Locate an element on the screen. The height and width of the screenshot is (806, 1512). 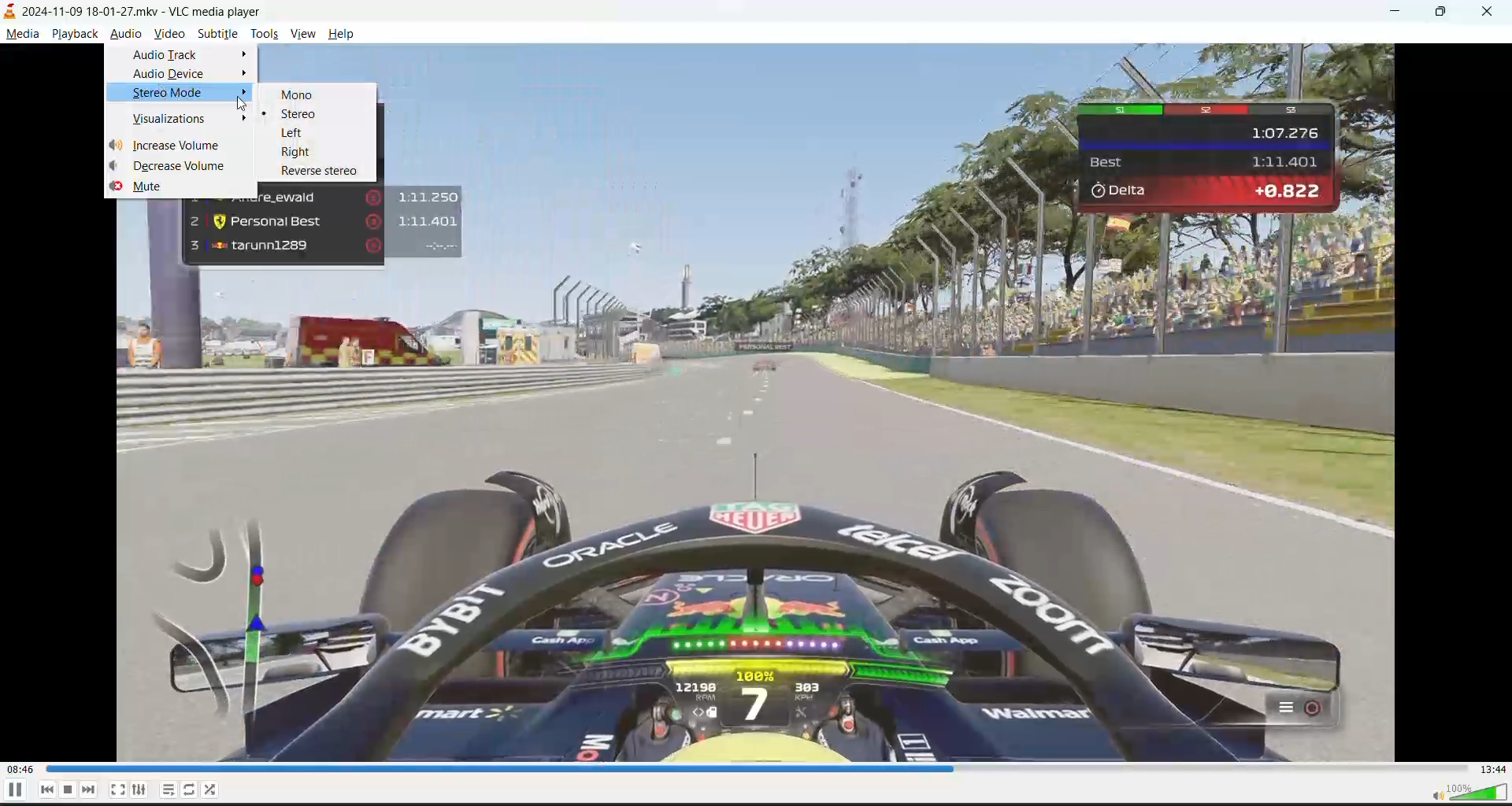
right is located at coordinates (306, 151).